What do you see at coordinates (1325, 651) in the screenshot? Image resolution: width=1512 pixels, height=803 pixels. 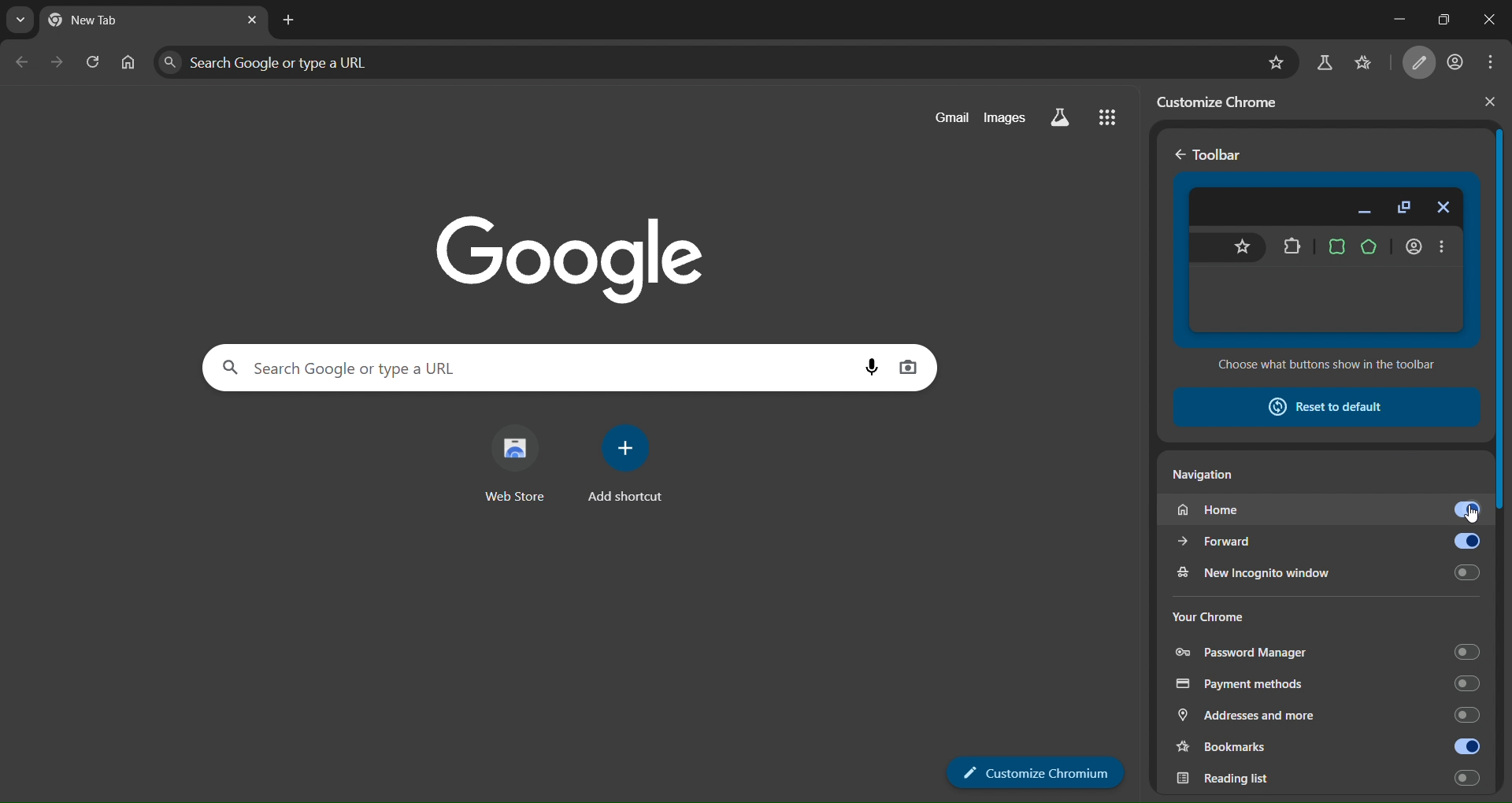 I see `password manager` at bounding box center [1325, 651].